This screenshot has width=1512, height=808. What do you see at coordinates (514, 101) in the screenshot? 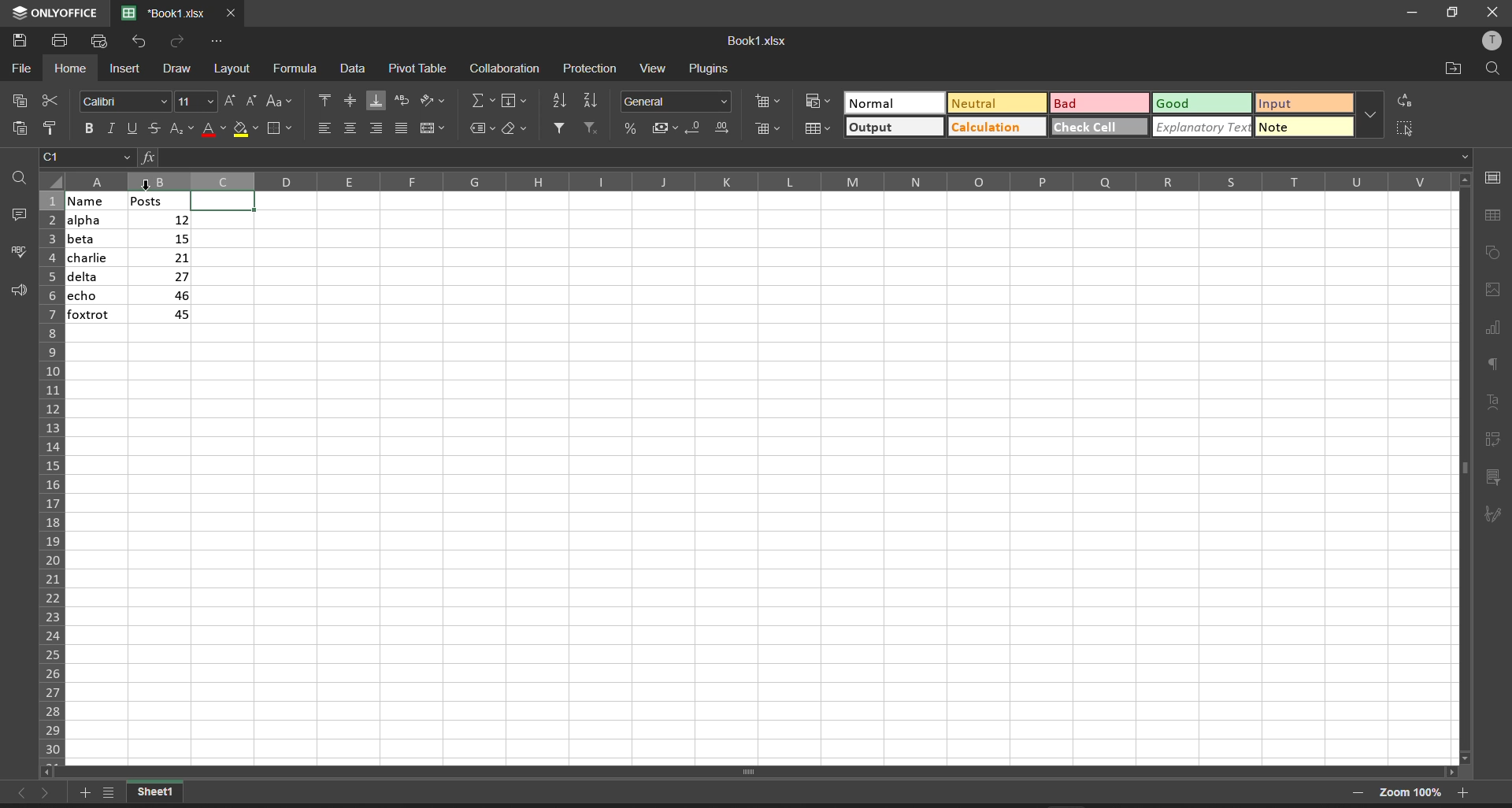
I see `fill` at bounding box center [514, 101].